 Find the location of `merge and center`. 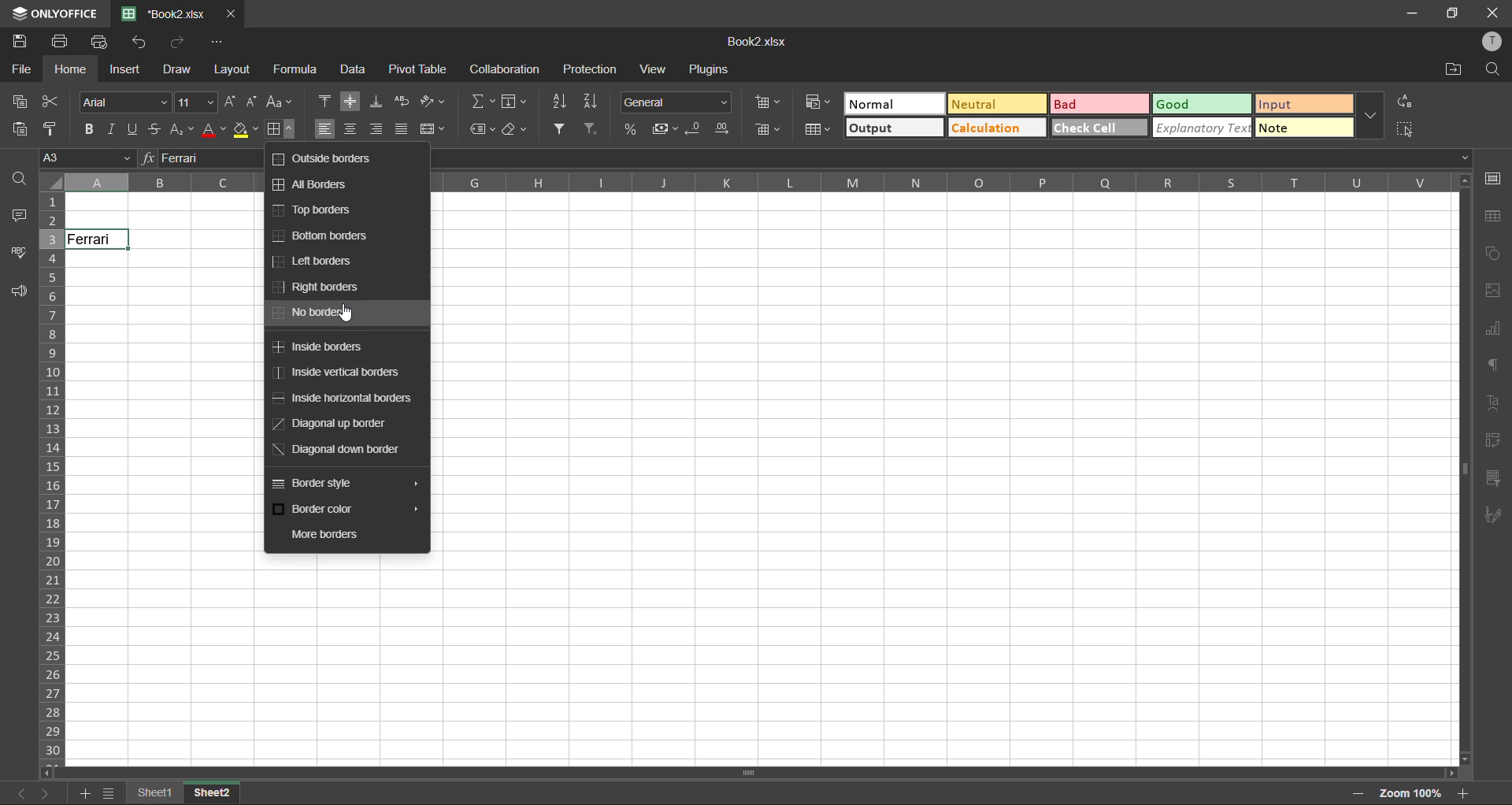

merge and center is located at coordinates (432, 128).